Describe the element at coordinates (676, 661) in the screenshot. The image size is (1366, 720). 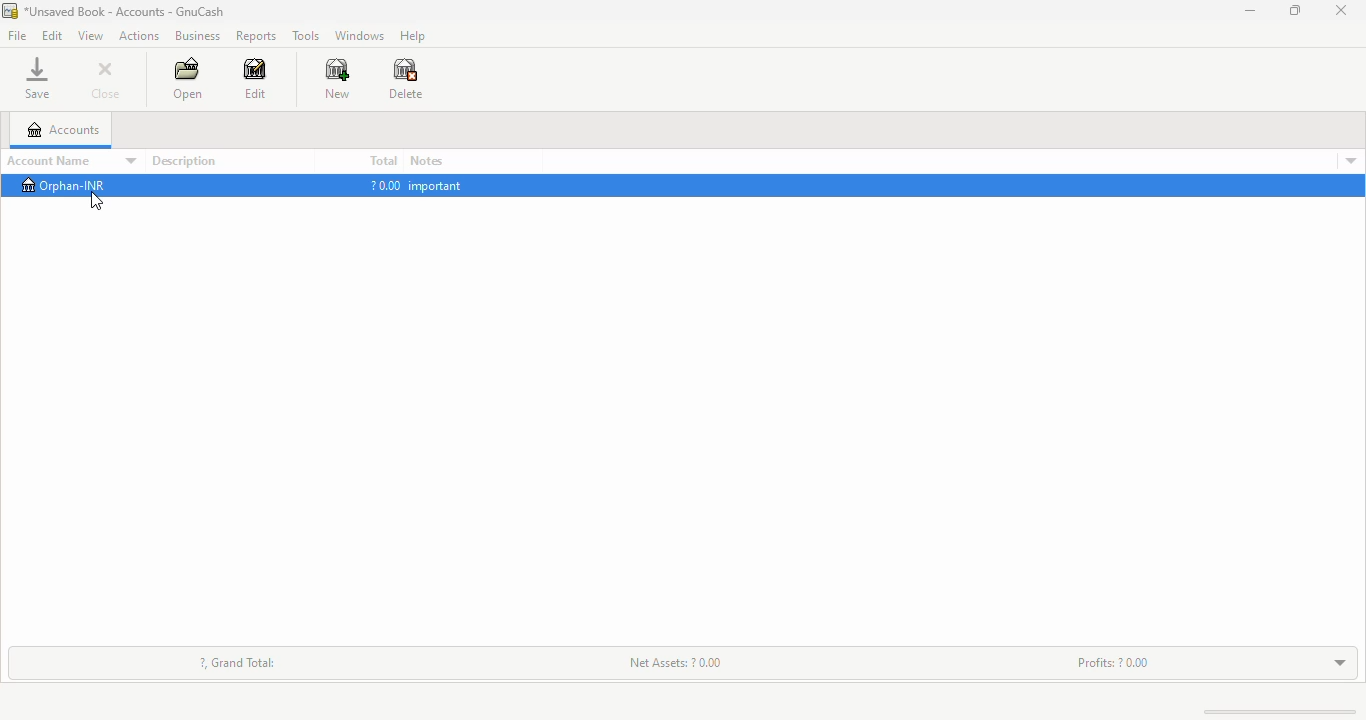
I see `net assets: ? 0.00` at that location.